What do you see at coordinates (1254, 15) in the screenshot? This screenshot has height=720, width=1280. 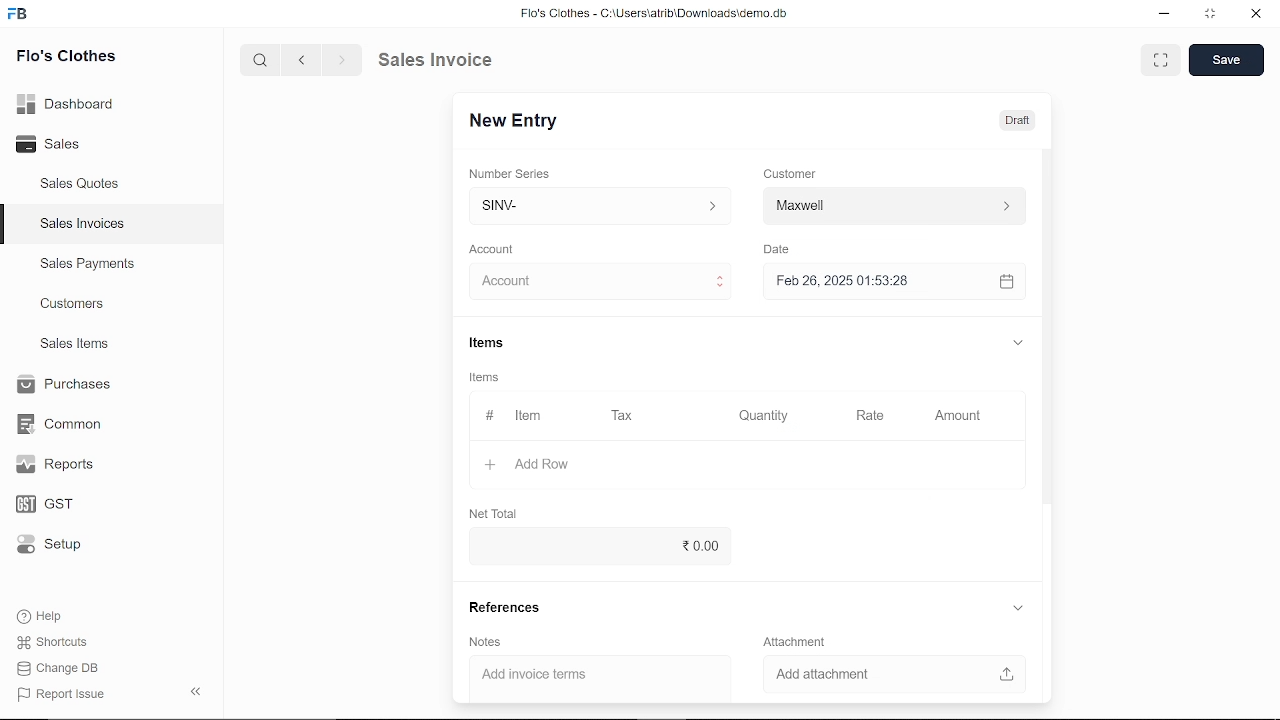 I see `close` at bounding box center [1254, 15].